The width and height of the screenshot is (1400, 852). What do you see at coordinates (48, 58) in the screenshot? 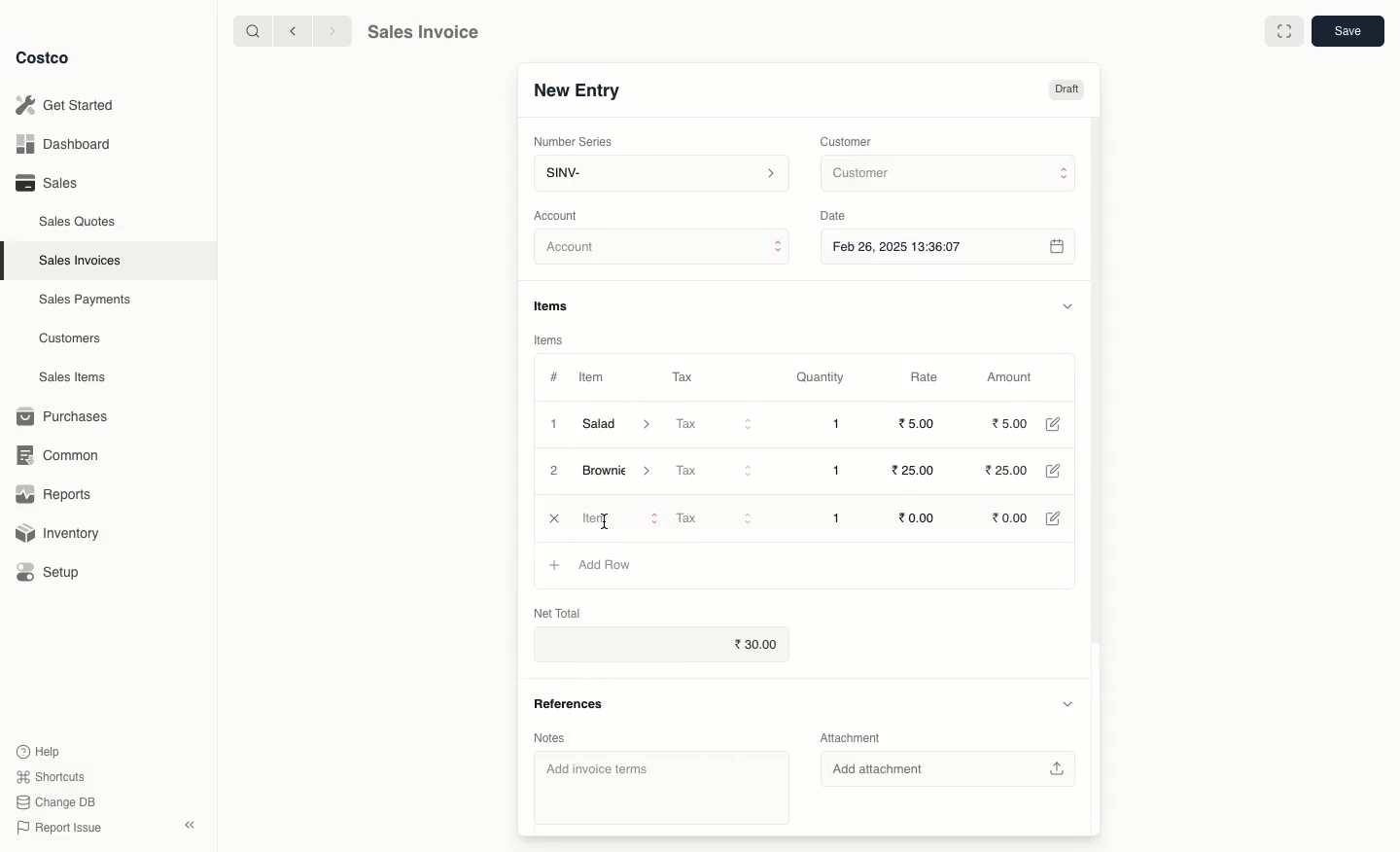
I see `Costco` at bounding box center [48, 58].